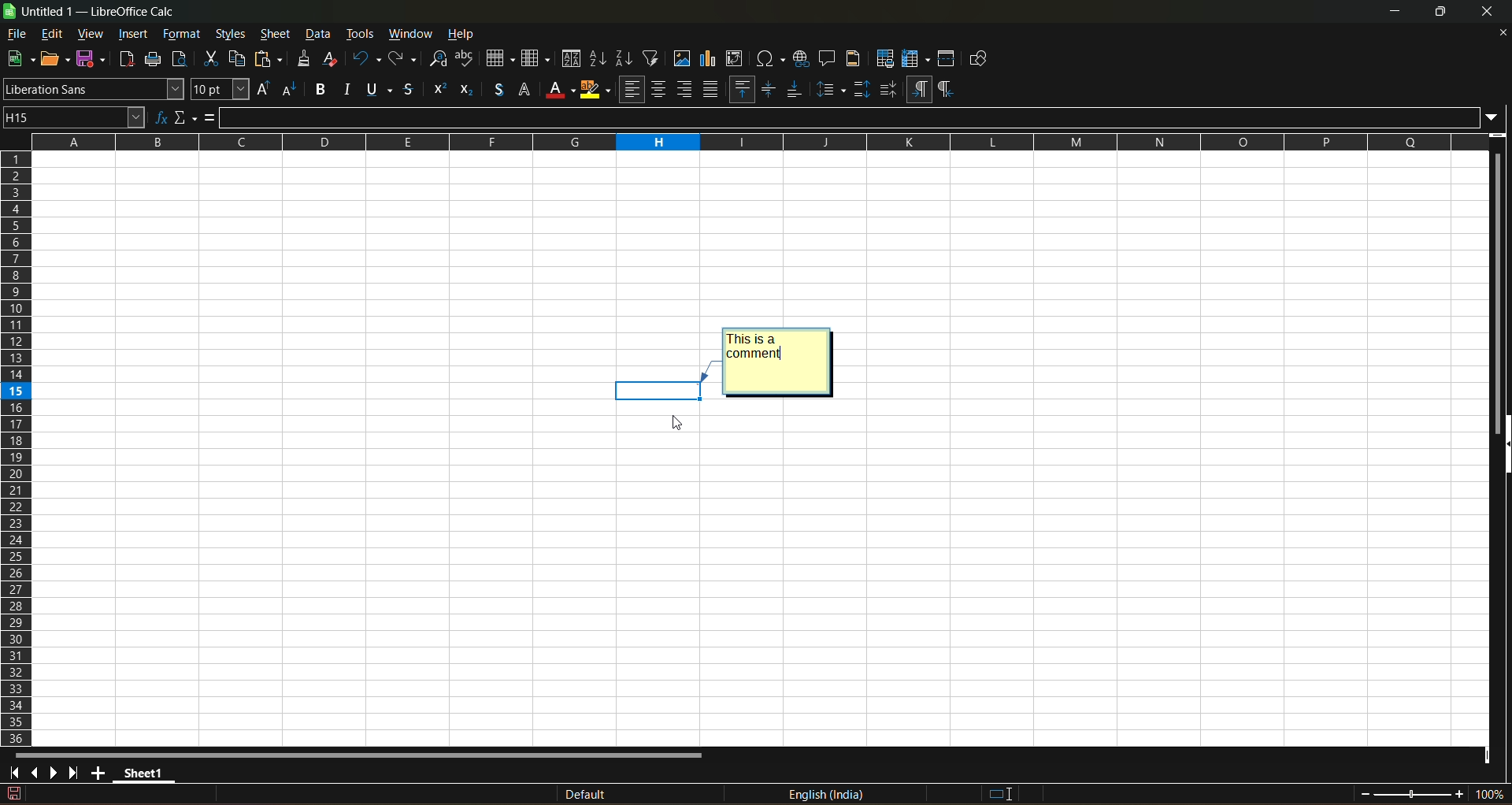  What do you see at coordinates (978, 57) in the screenshot?
I see `show draw functions` at bounding box center [978, 57].